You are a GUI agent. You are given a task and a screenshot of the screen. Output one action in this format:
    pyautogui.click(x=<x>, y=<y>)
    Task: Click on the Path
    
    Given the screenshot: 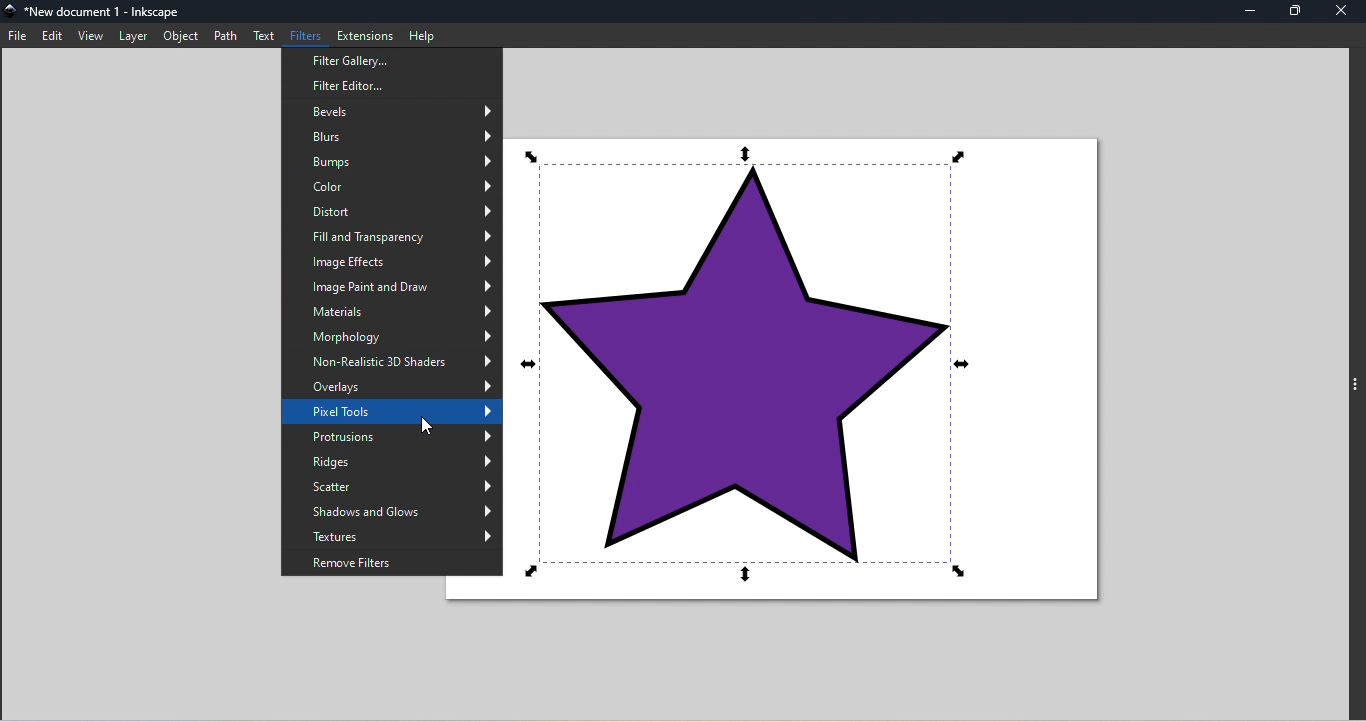 What is the action you would take?
    pyautogui.click(x=225, y=35)
    